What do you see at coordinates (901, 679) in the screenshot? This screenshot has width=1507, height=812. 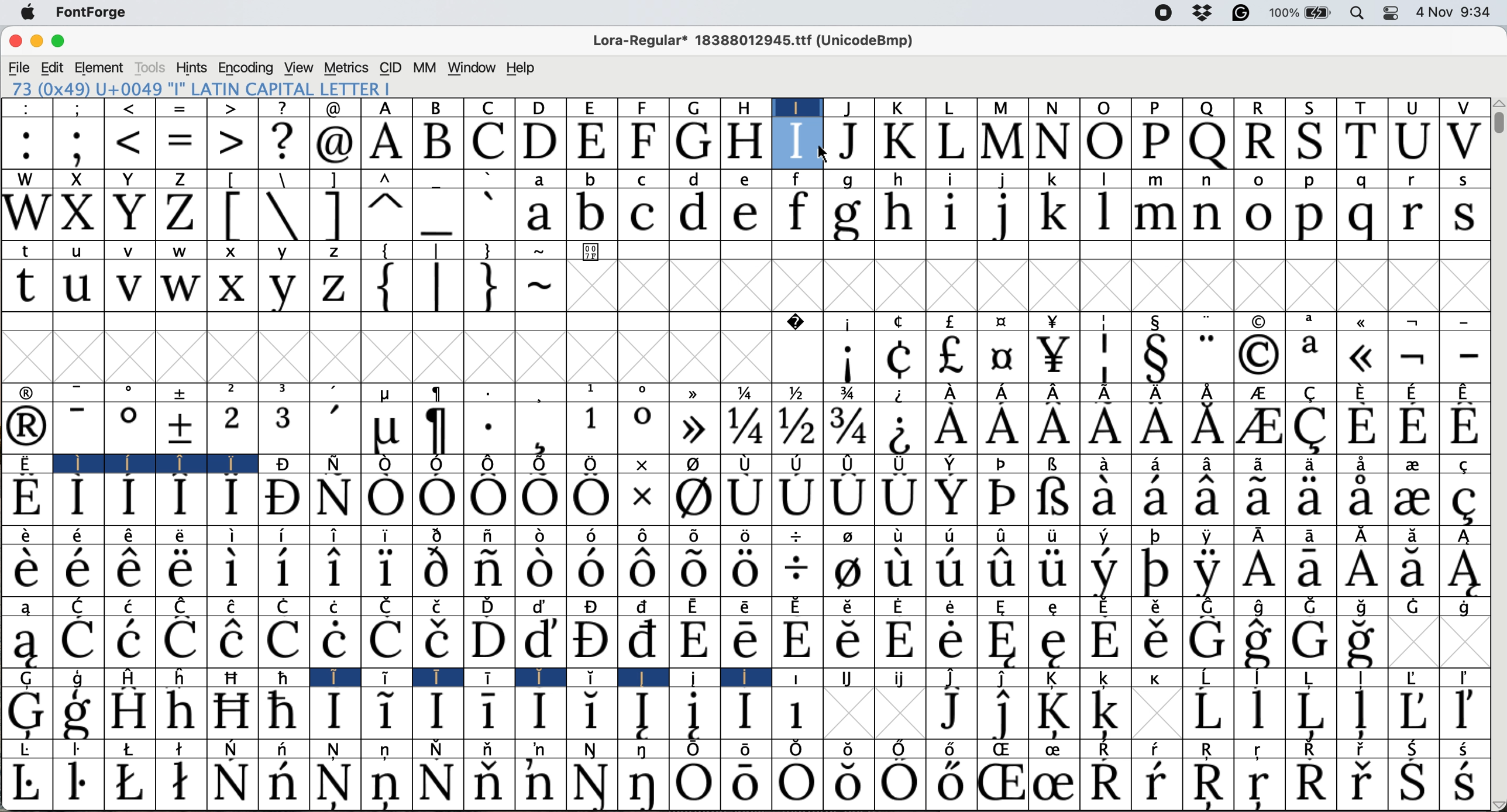 I see `Symbol` at bounding box center [901, 679].